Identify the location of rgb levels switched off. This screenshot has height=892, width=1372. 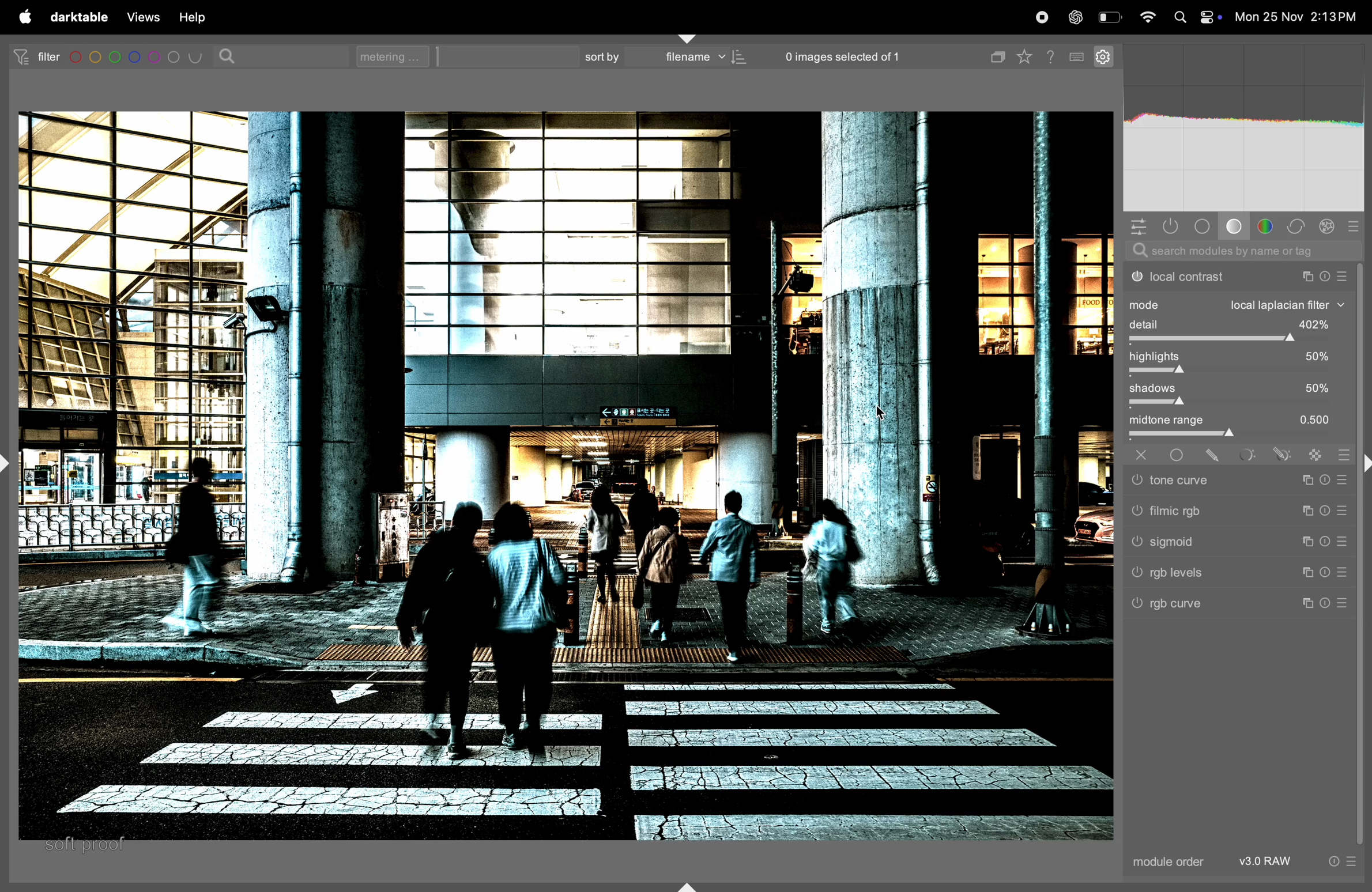
(1136, 574).